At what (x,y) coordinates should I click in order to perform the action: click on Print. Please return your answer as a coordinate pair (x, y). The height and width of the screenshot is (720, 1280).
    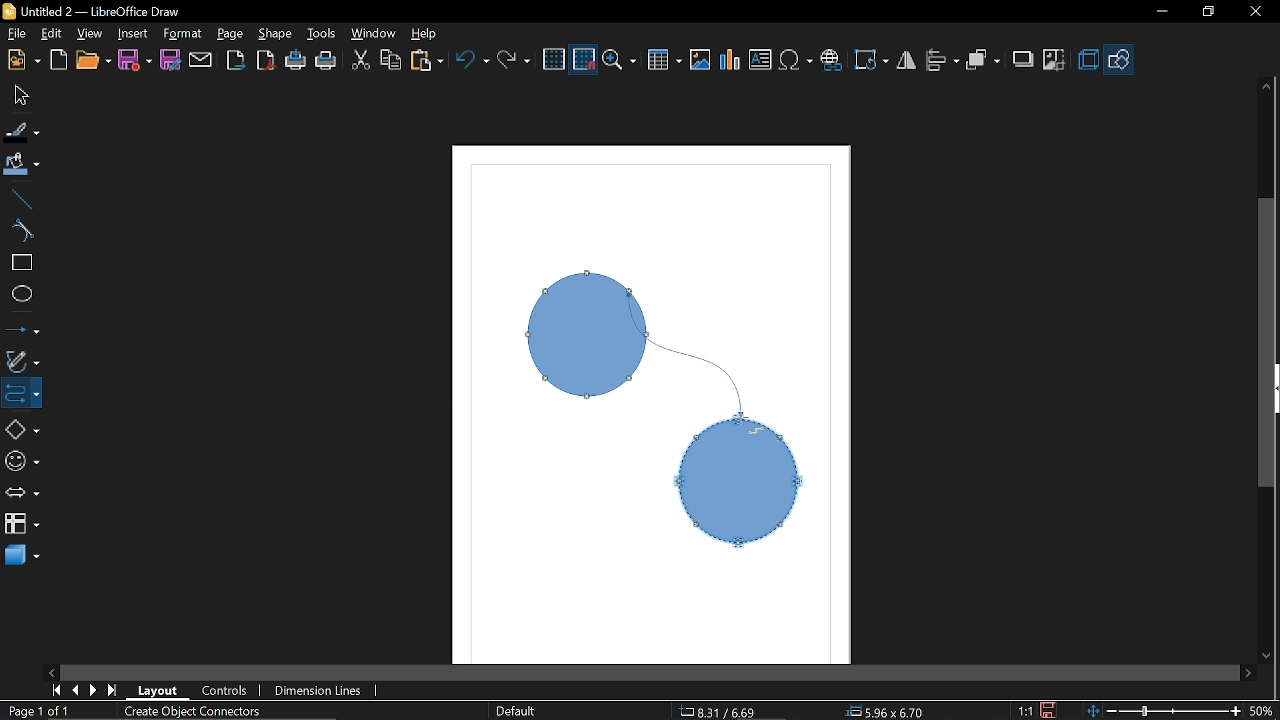
    Looking at the image, I should click on (326, 60).